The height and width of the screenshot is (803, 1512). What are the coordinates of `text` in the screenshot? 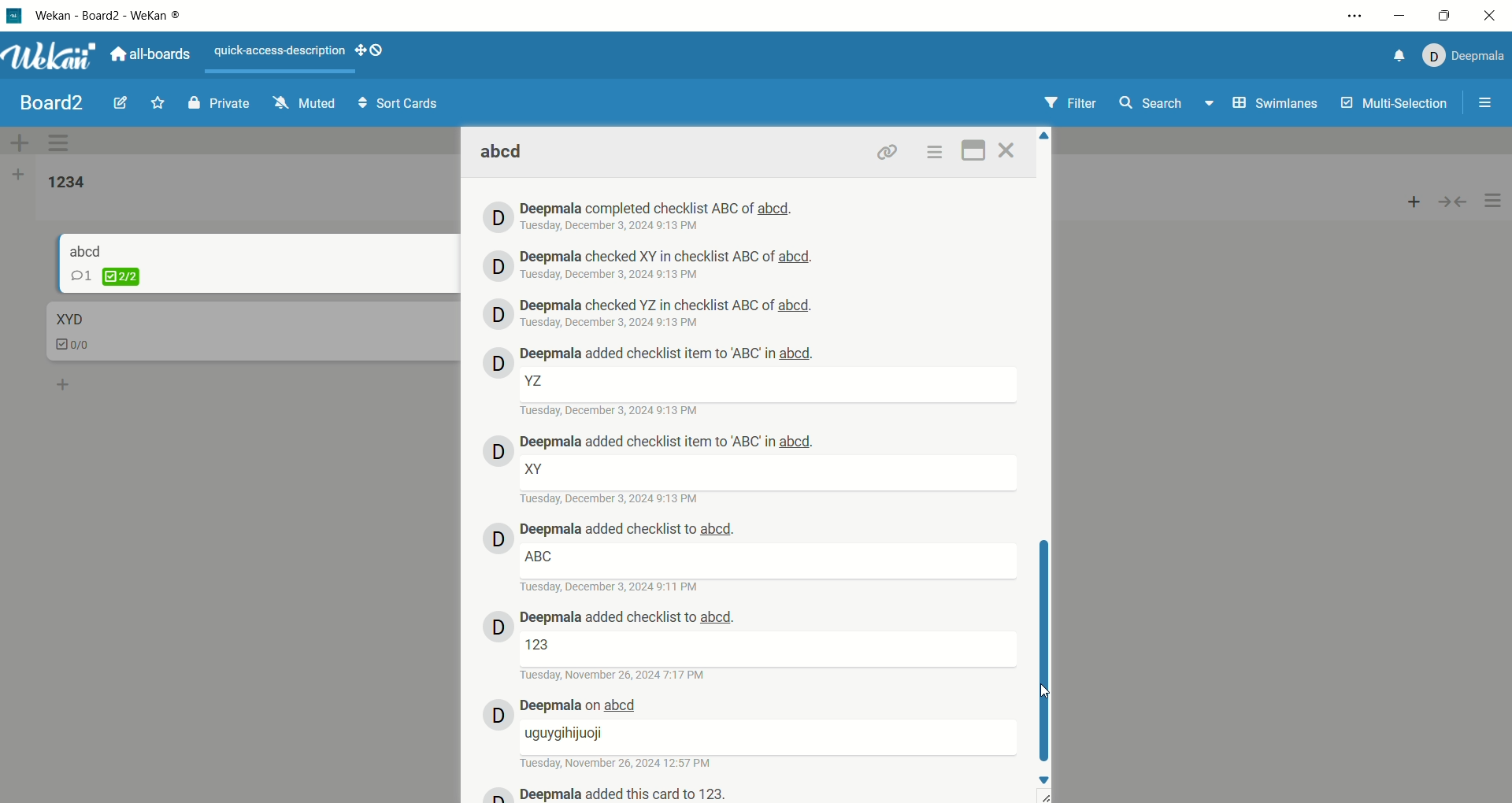 It's located at (566, 735).